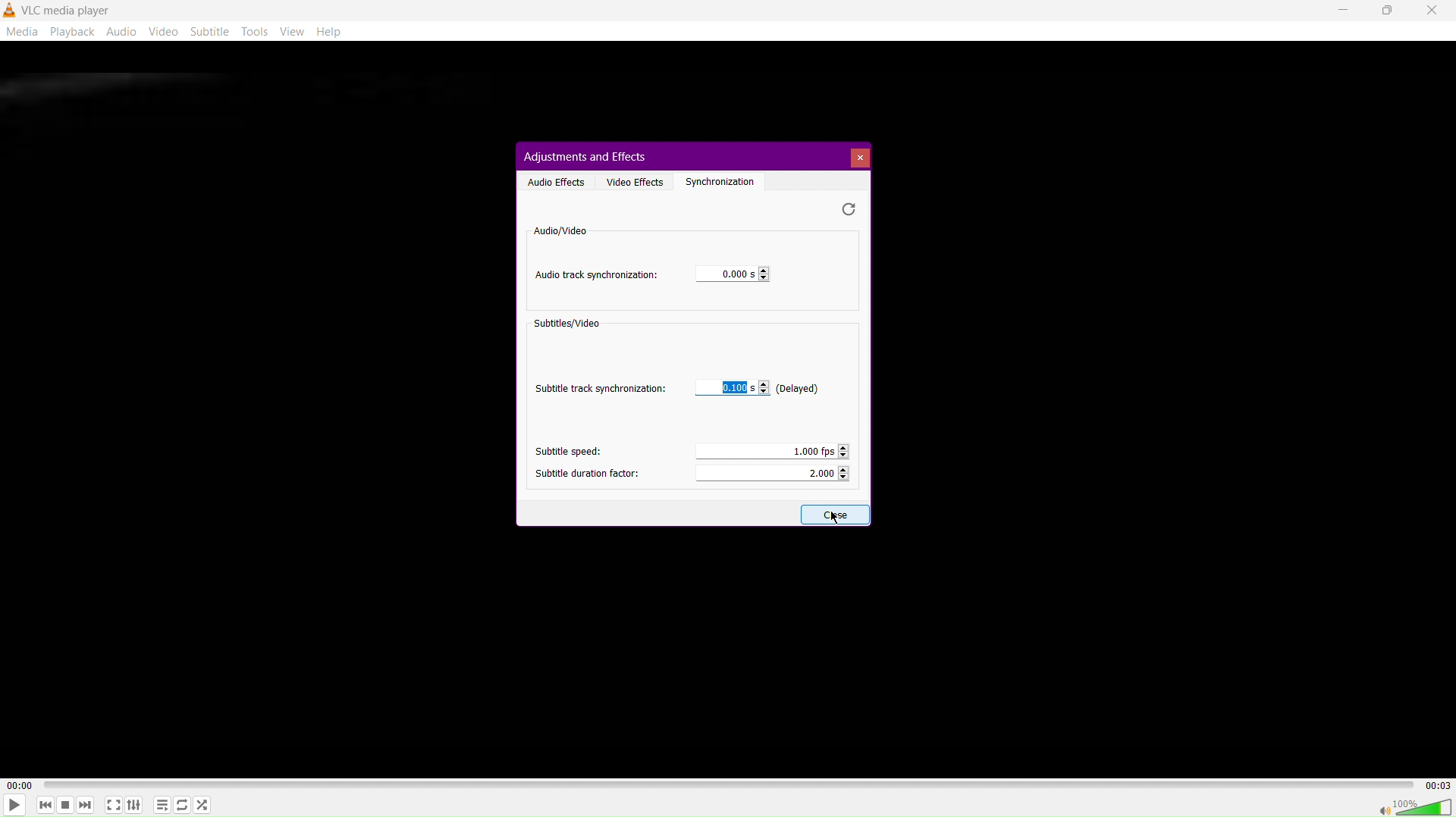  What do you see at coordinates (1441, 785) in the screenshot?
I see `Total/remaining time` at bounding box center [1441, 785].